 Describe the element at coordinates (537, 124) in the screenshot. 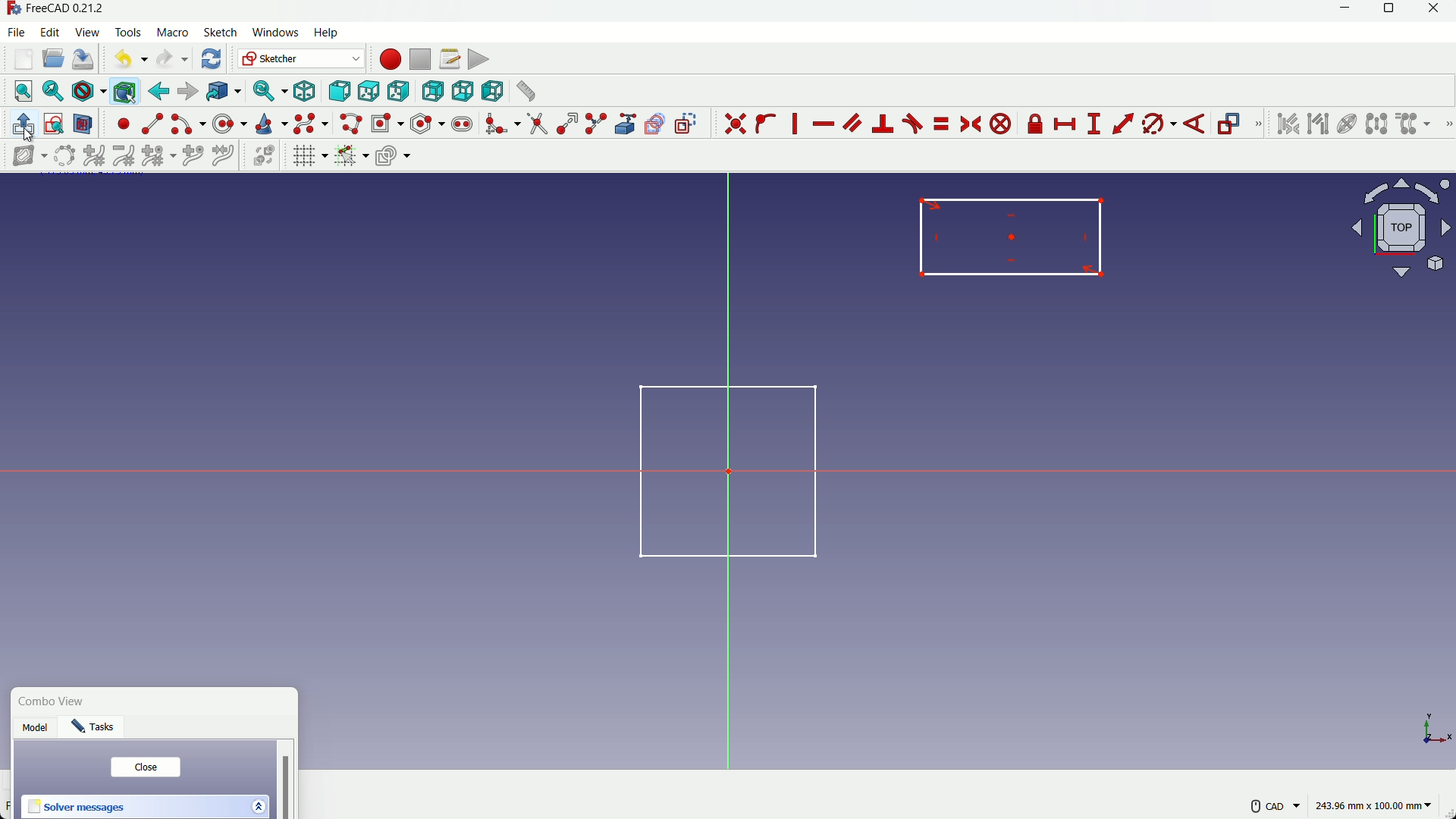

I see `trim edges` at that location.